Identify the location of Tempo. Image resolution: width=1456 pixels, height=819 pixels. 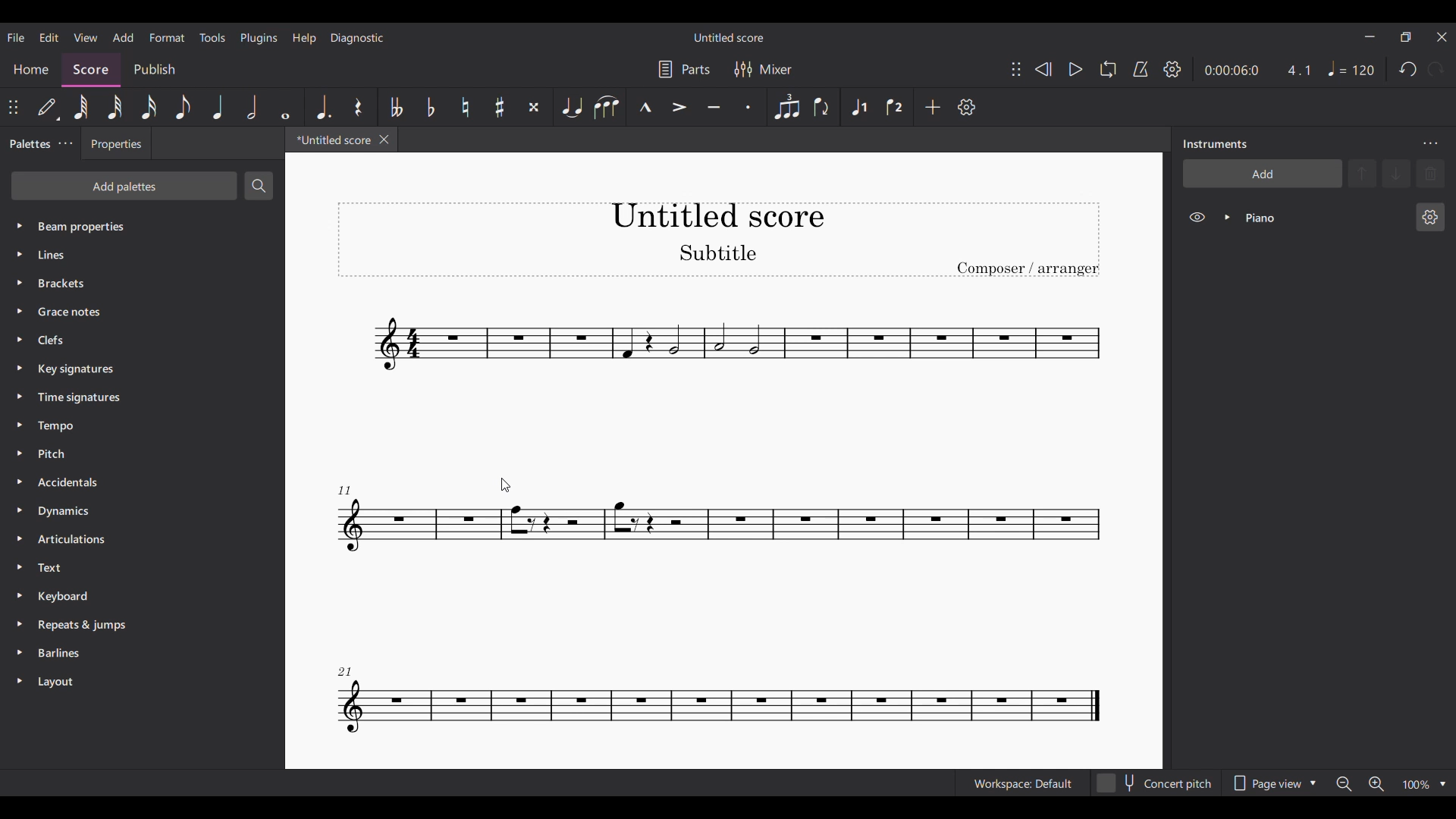
(1351, 68).